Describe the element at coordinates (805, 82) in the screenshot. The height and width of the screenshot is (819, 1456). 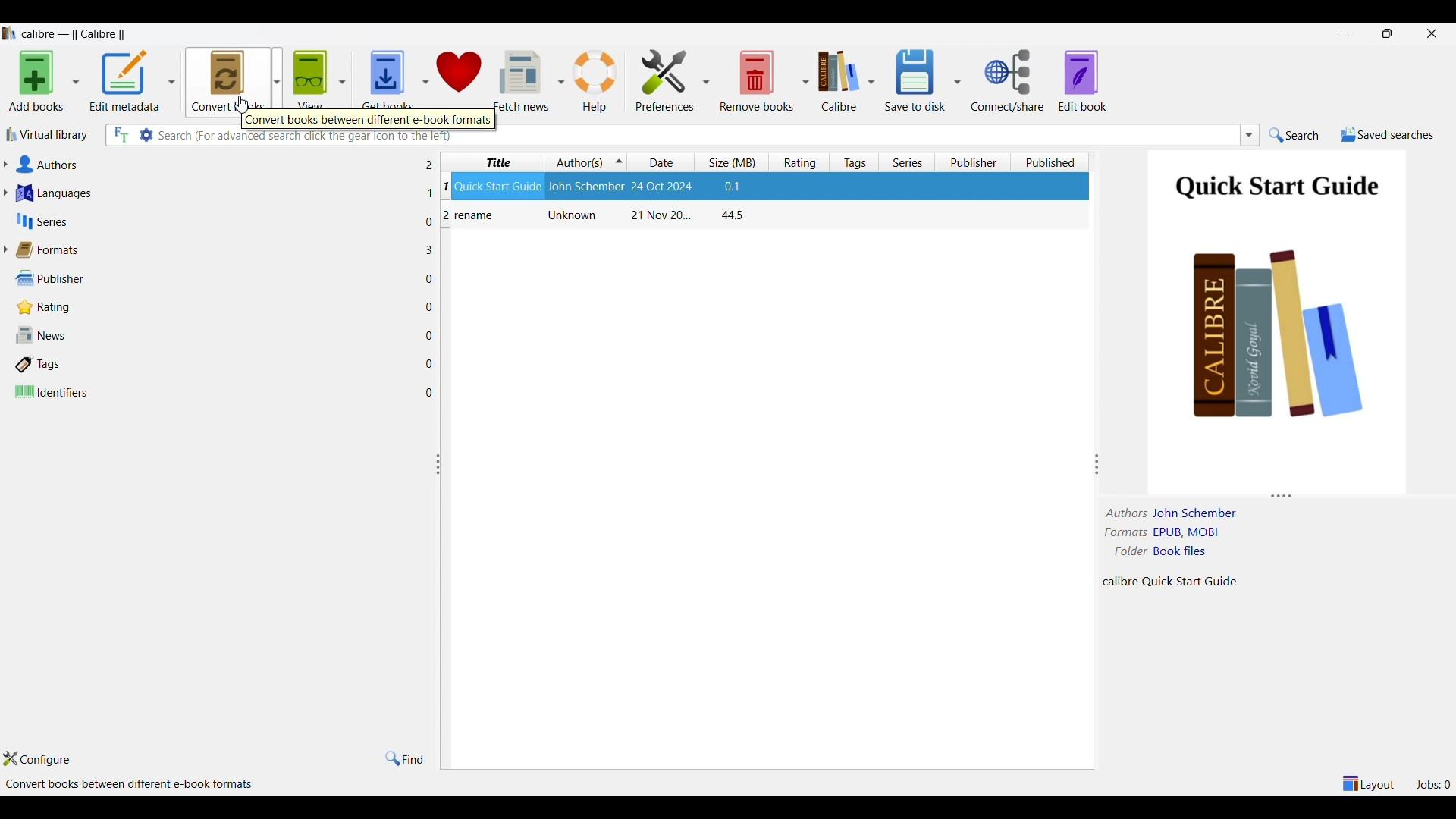
I see `Remove book options` at that location.